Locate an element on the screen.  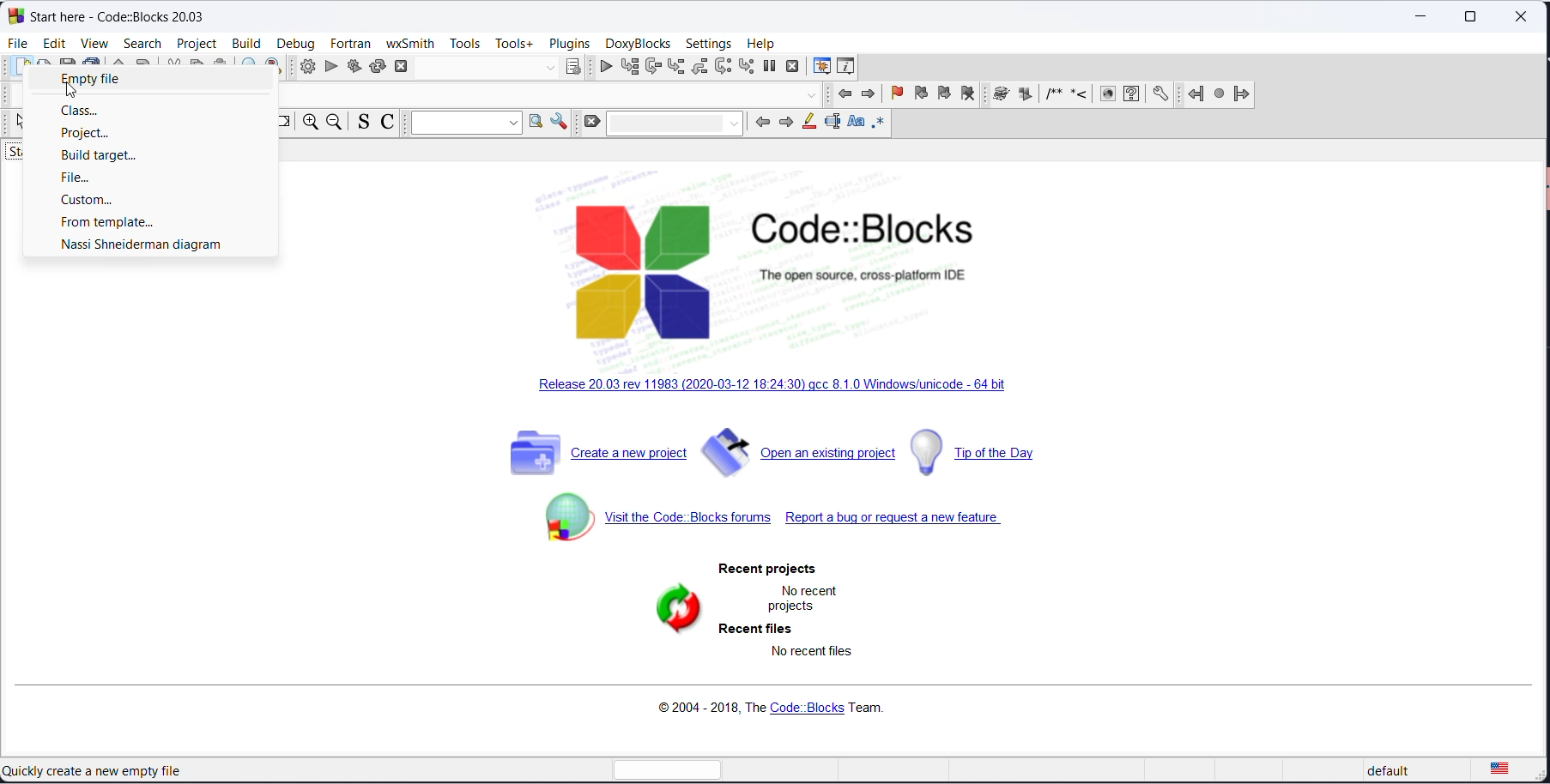
language is located at coordinates (1513, 769).